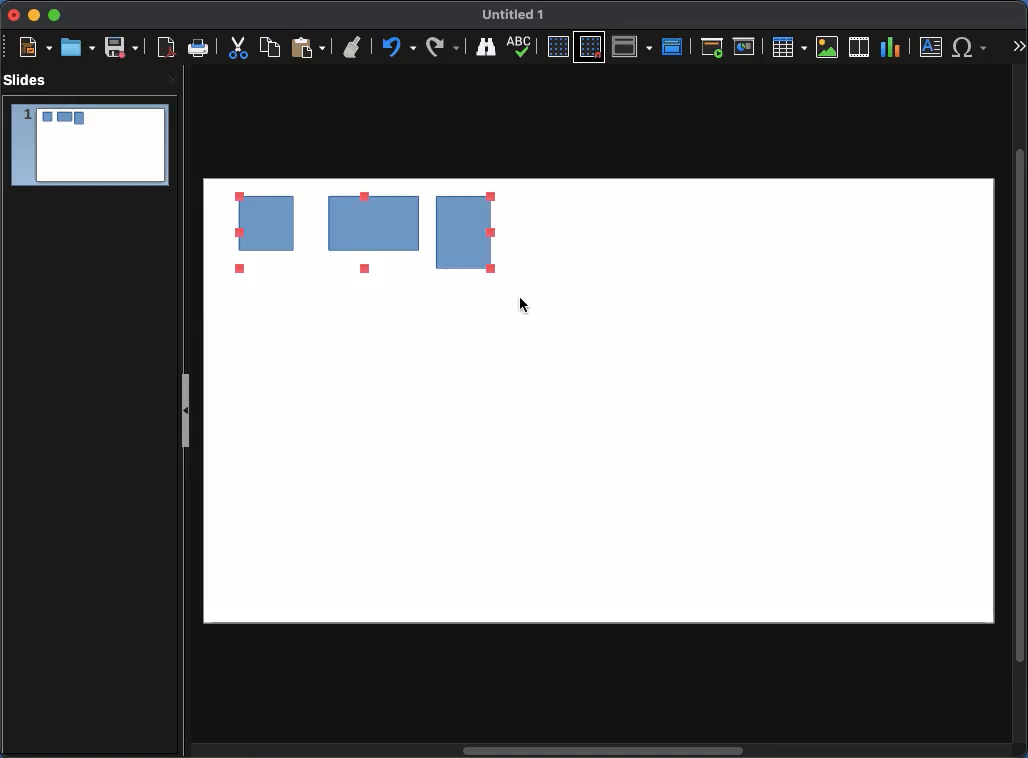  I want to click on Audio or video, so click(860, 47).